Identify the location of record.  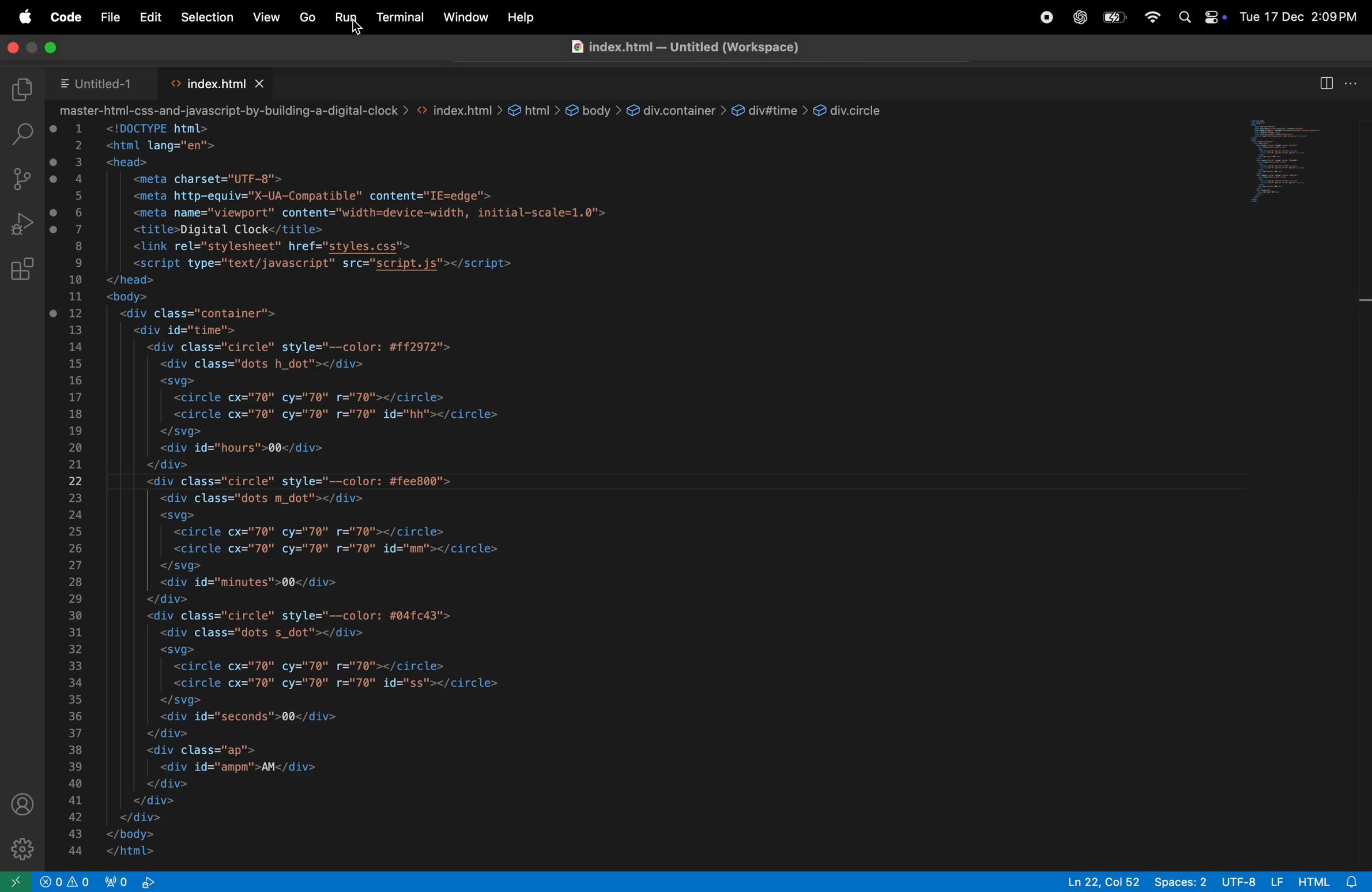
(1041, 18).